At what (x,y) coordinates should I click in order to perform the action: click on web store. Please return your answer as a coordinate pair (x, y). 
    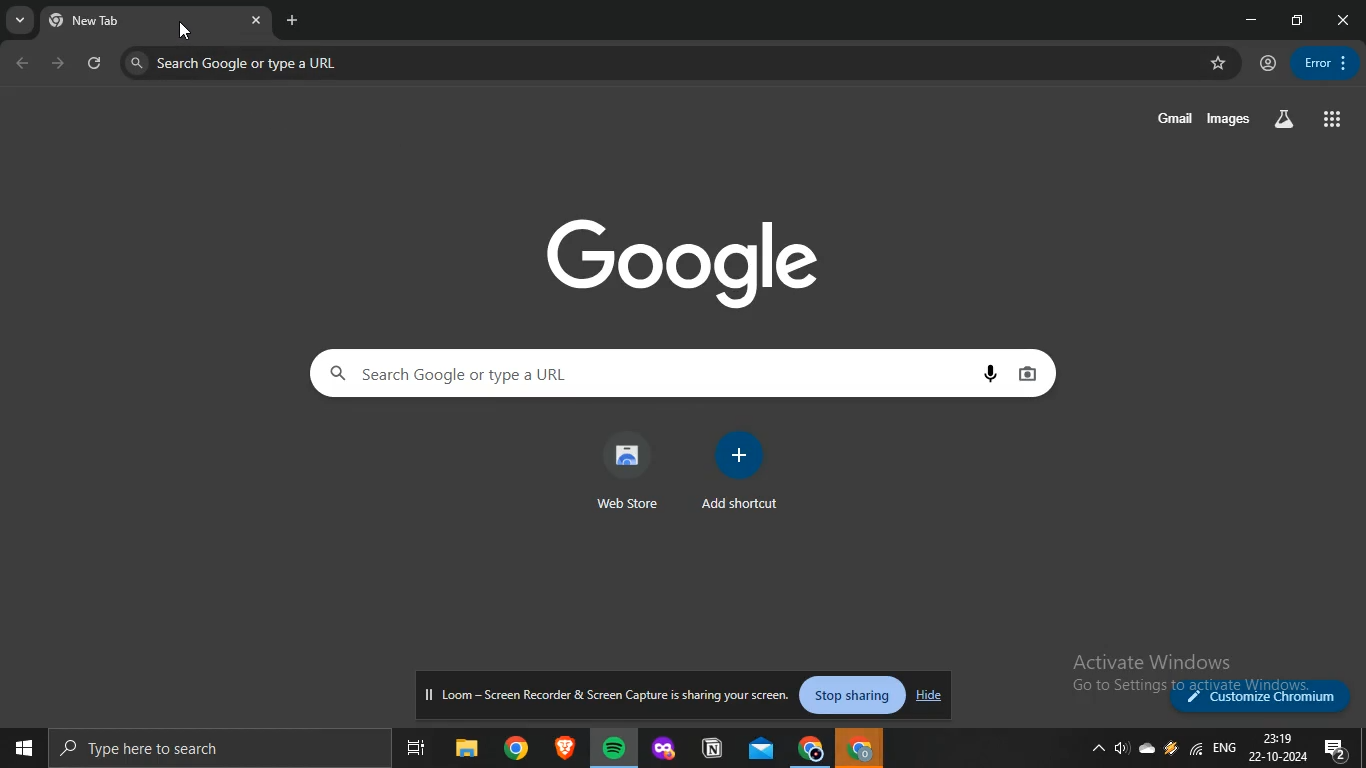
    Looking at the image, I should click on (627, 471).